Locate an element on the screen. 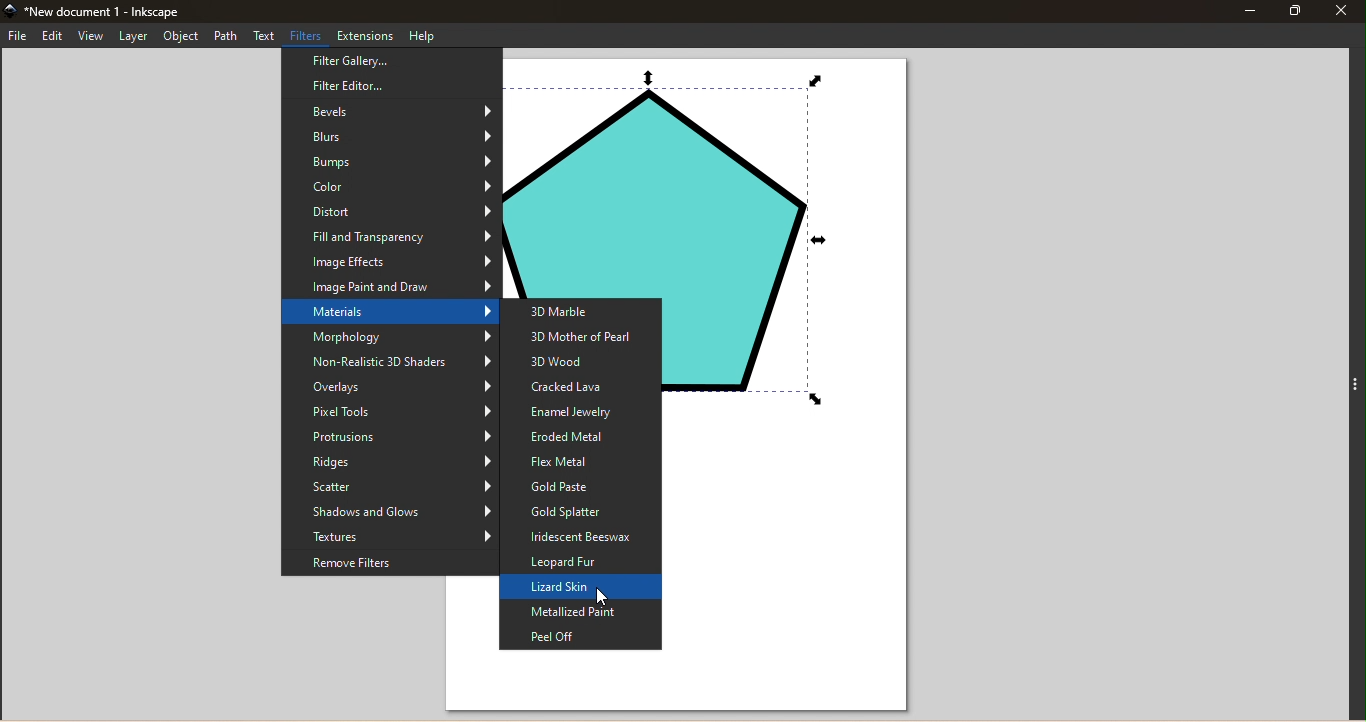  Edit is located at coordinates (51, 36).